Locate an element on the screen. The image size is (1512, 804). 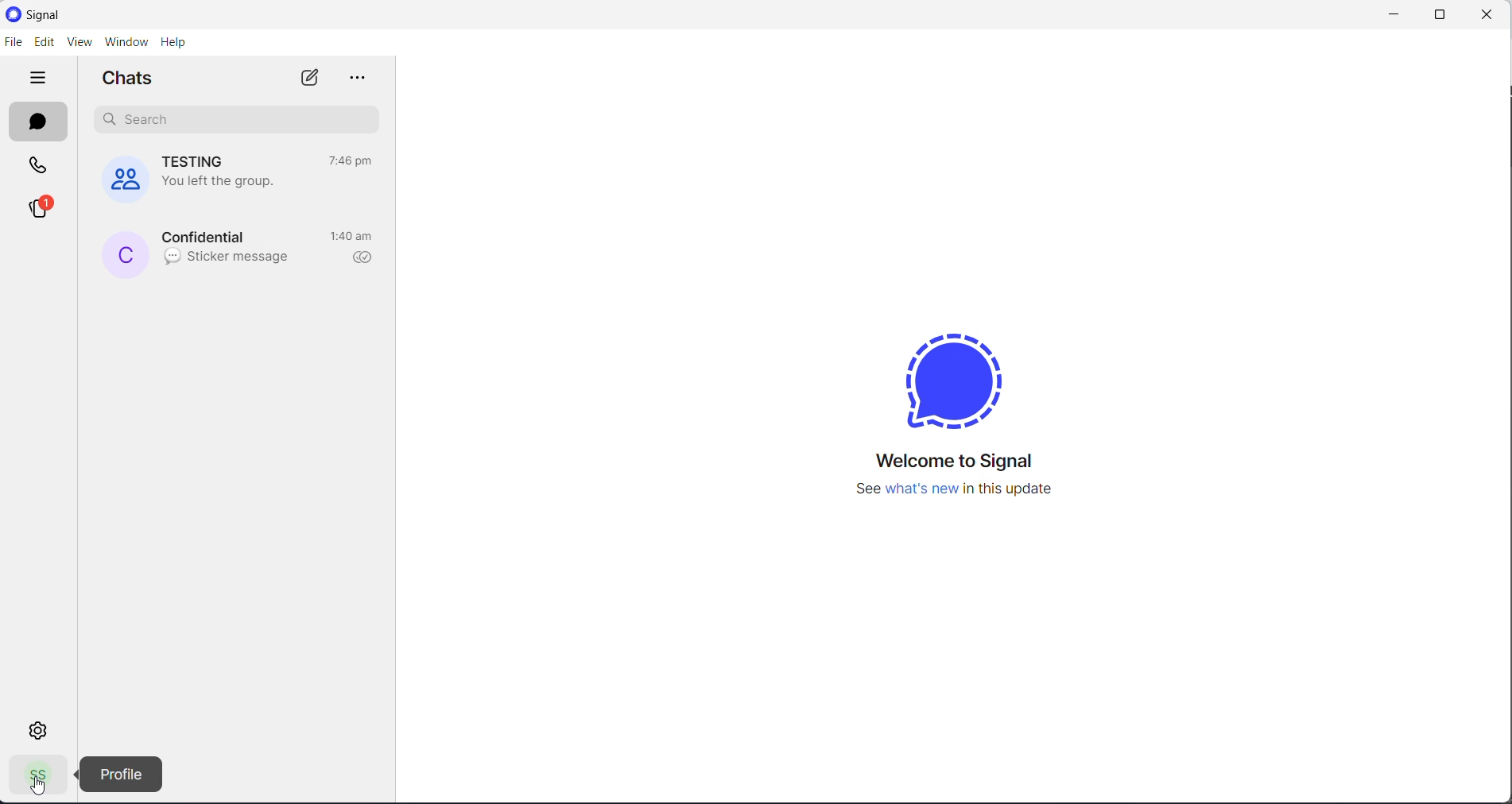
last active time is located at coordinates (354, 238).